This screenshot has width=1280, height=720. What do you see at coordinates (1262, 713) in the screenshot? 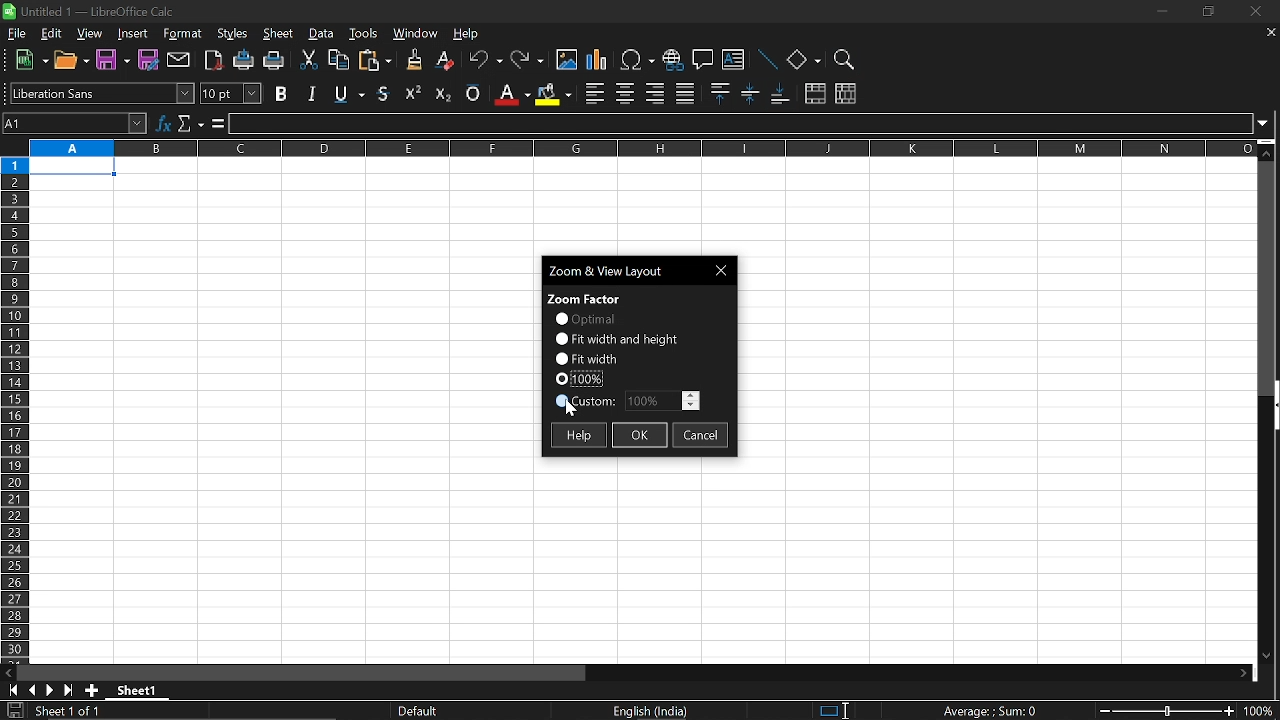
I see `current zoom` at bounding box center [1262, 713].